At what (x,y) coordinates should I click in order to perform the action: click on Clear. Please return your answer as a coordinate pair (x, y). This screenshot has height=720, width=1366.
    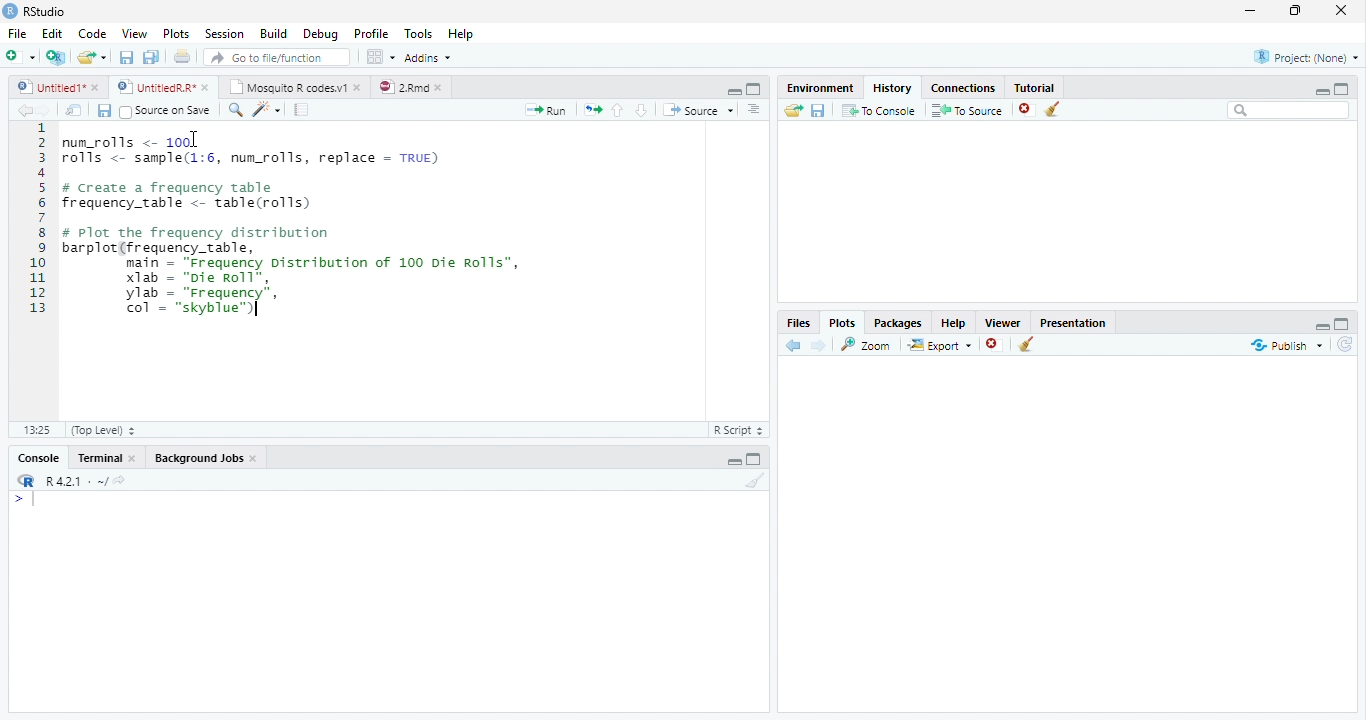
    Looking at the image, I should click on (754, 480).